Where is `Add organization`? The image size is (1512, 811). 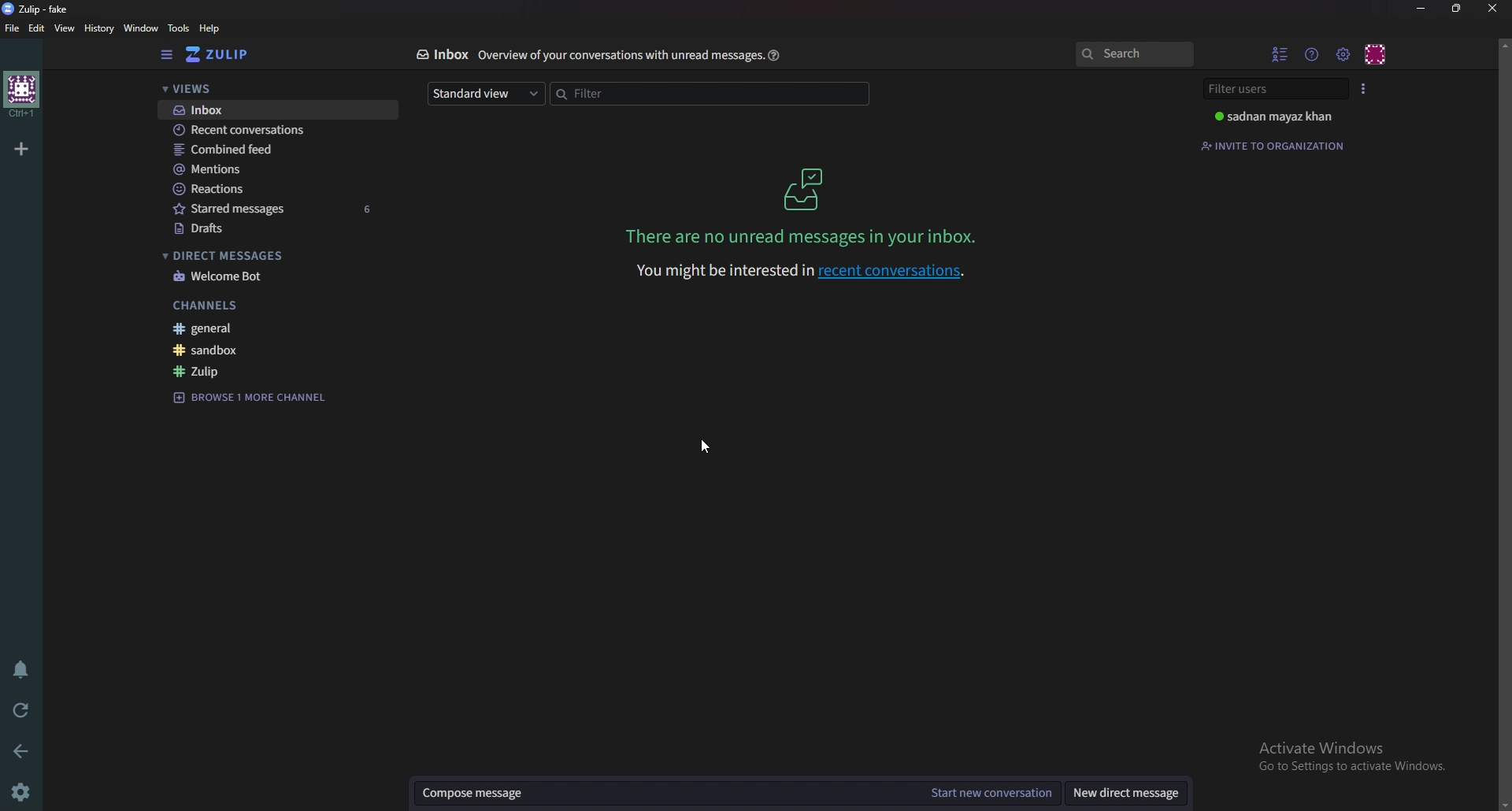 Add organization is located at coordinates (21, 149).